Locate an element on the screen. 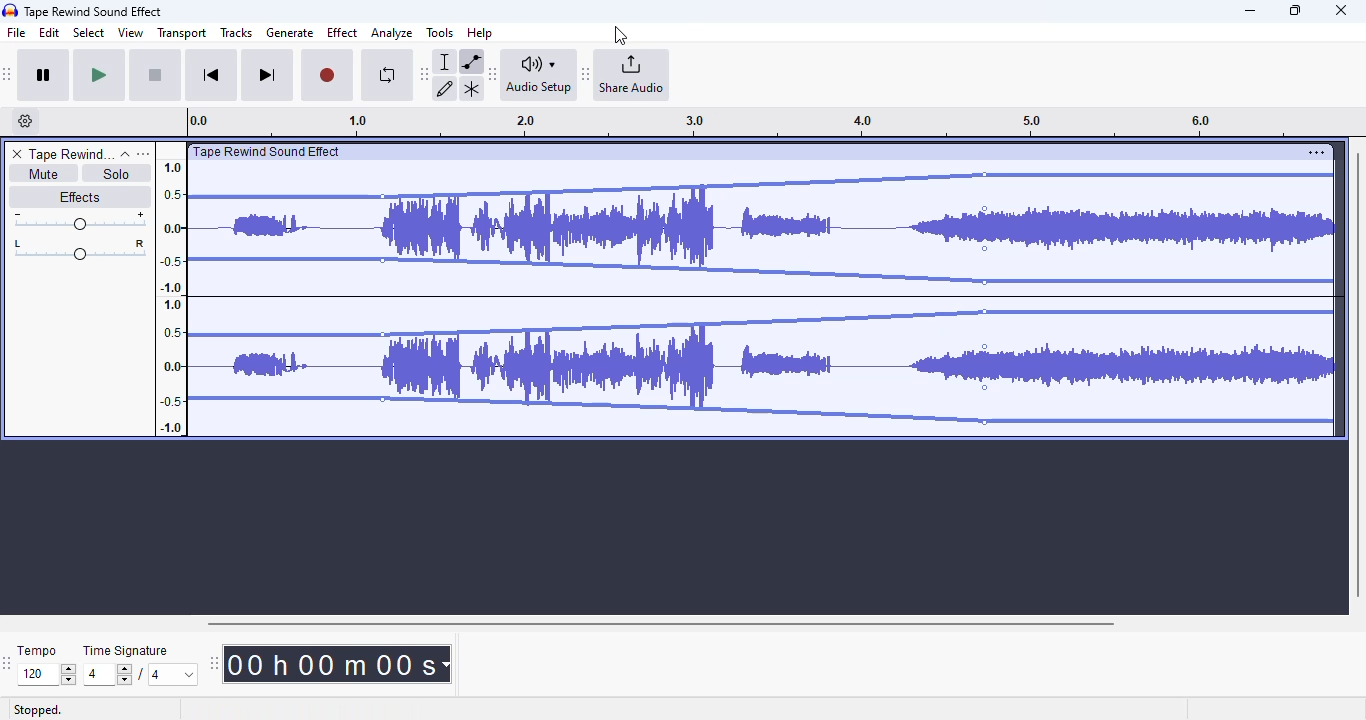 The width and height of the screenshot is (1366, 720). delete track is located at coordinates (17, 154).